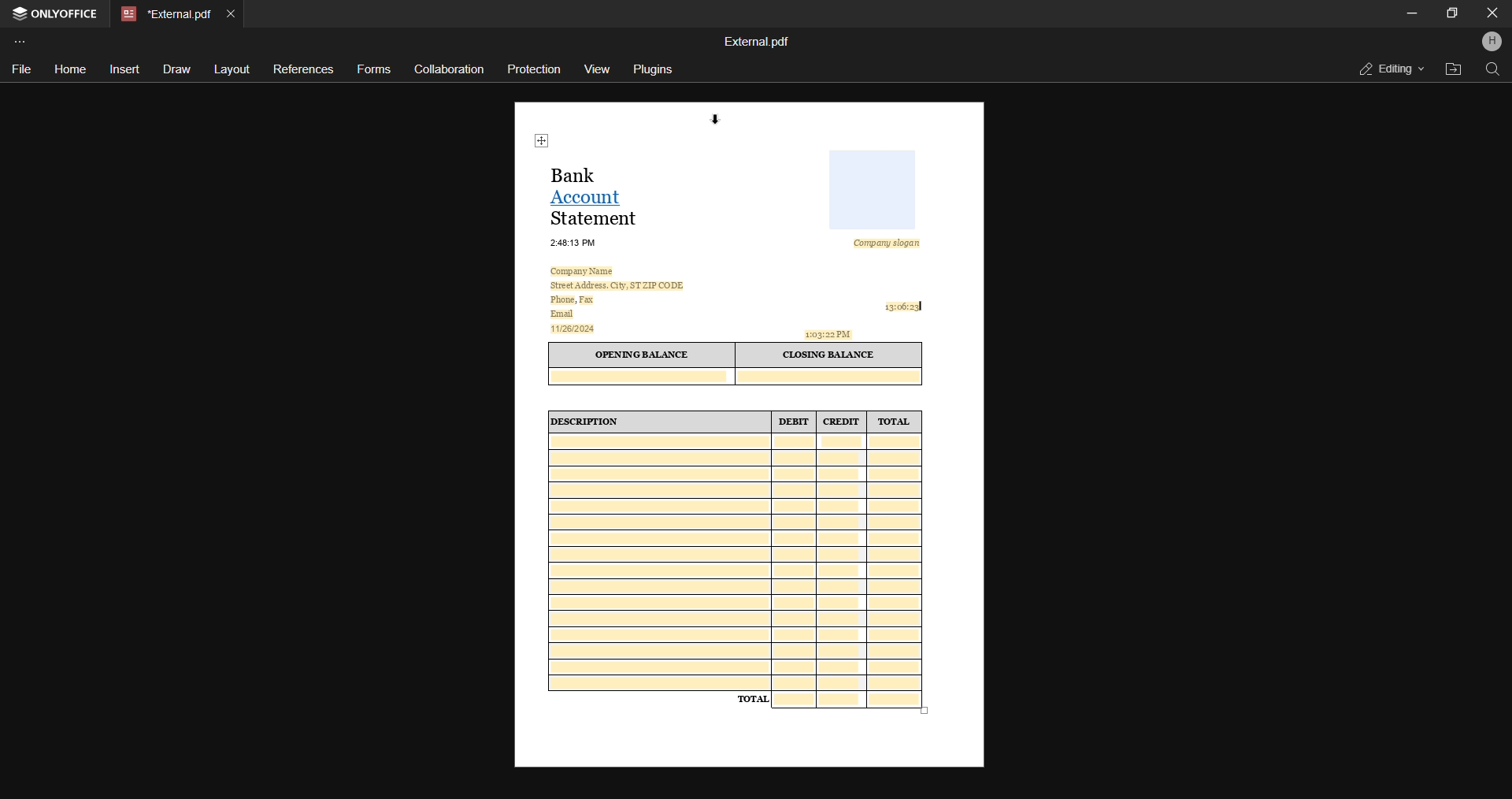 The width and height of the screenshot is (1512, 799). Describe the element at coordinates (1451, 69) in the screenshot. I see `open file location` at that location.